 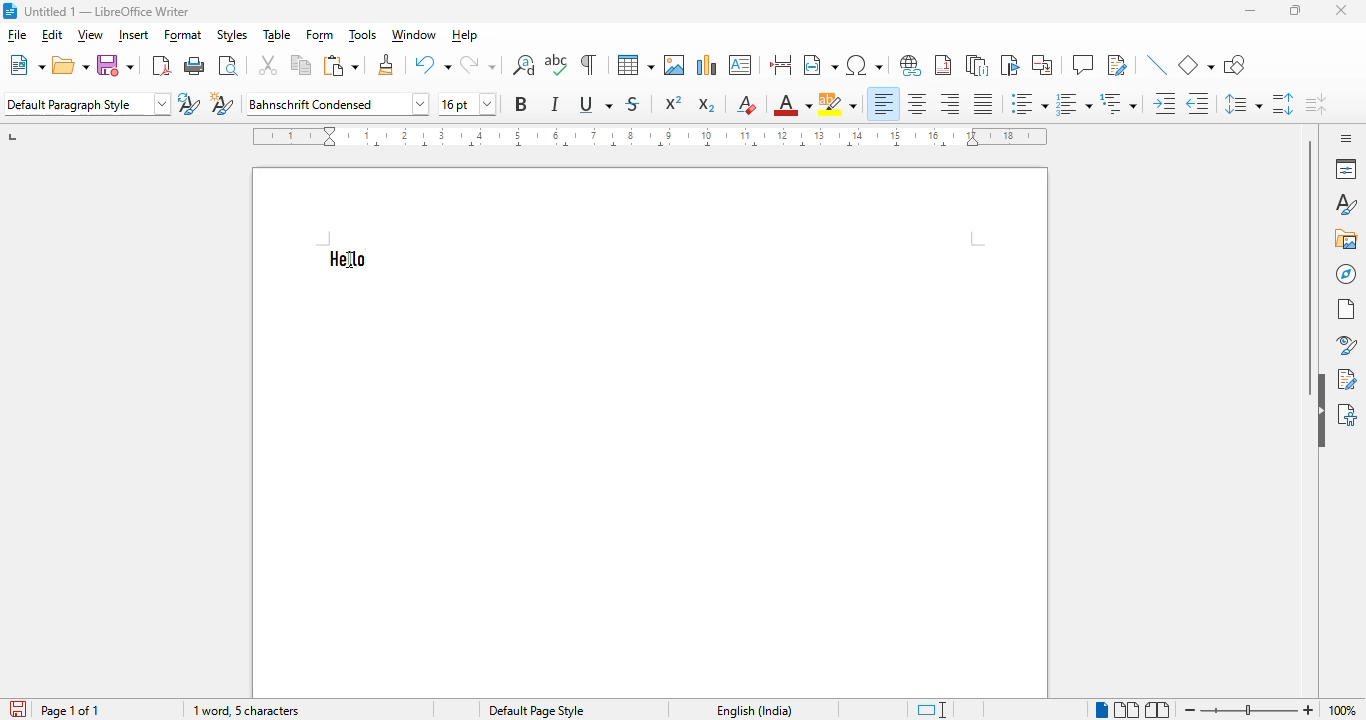 What do you see at coordinates (88, 104) in the screenshot?
I see `set paragraph style` at bounding box center [88, 104].